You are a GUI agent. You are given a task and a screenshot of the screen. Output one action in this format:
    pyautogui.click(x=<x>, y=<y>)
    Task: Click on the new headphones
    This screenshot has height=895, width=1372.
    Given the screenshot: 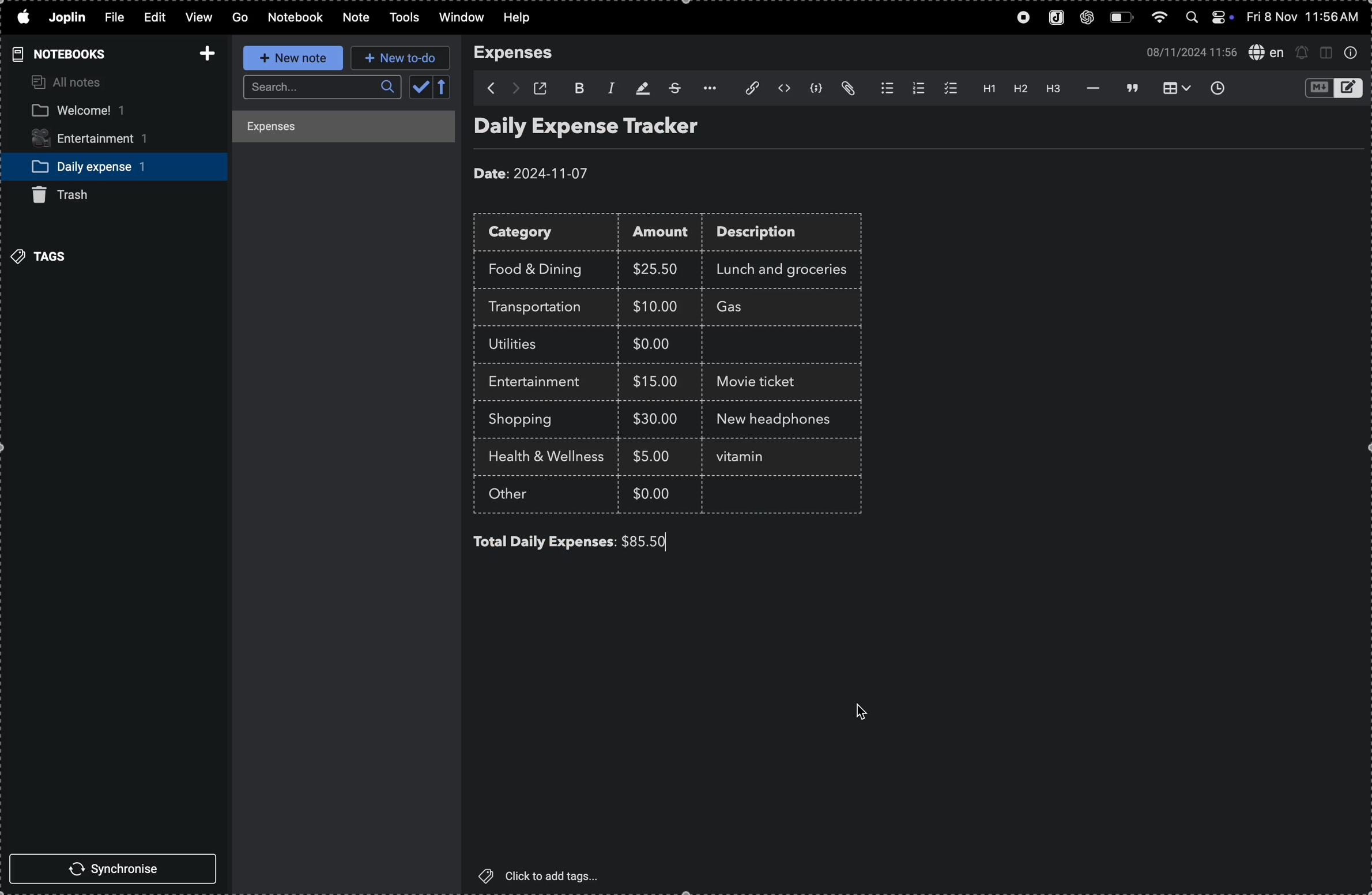 What is the action you would take?
    pyautogui.click(x=770, y=418)
    